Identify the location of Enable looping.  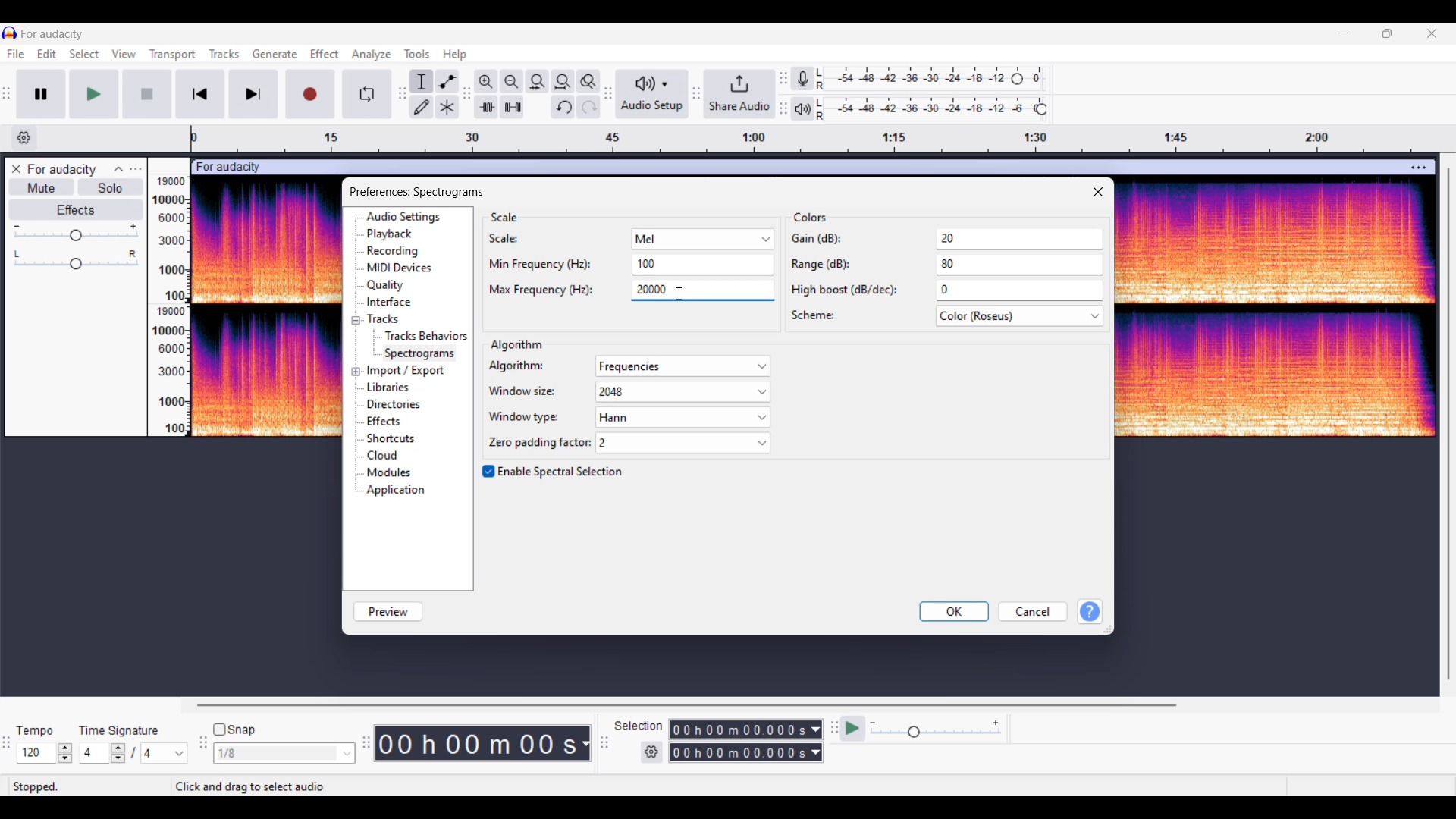
(367, 94).